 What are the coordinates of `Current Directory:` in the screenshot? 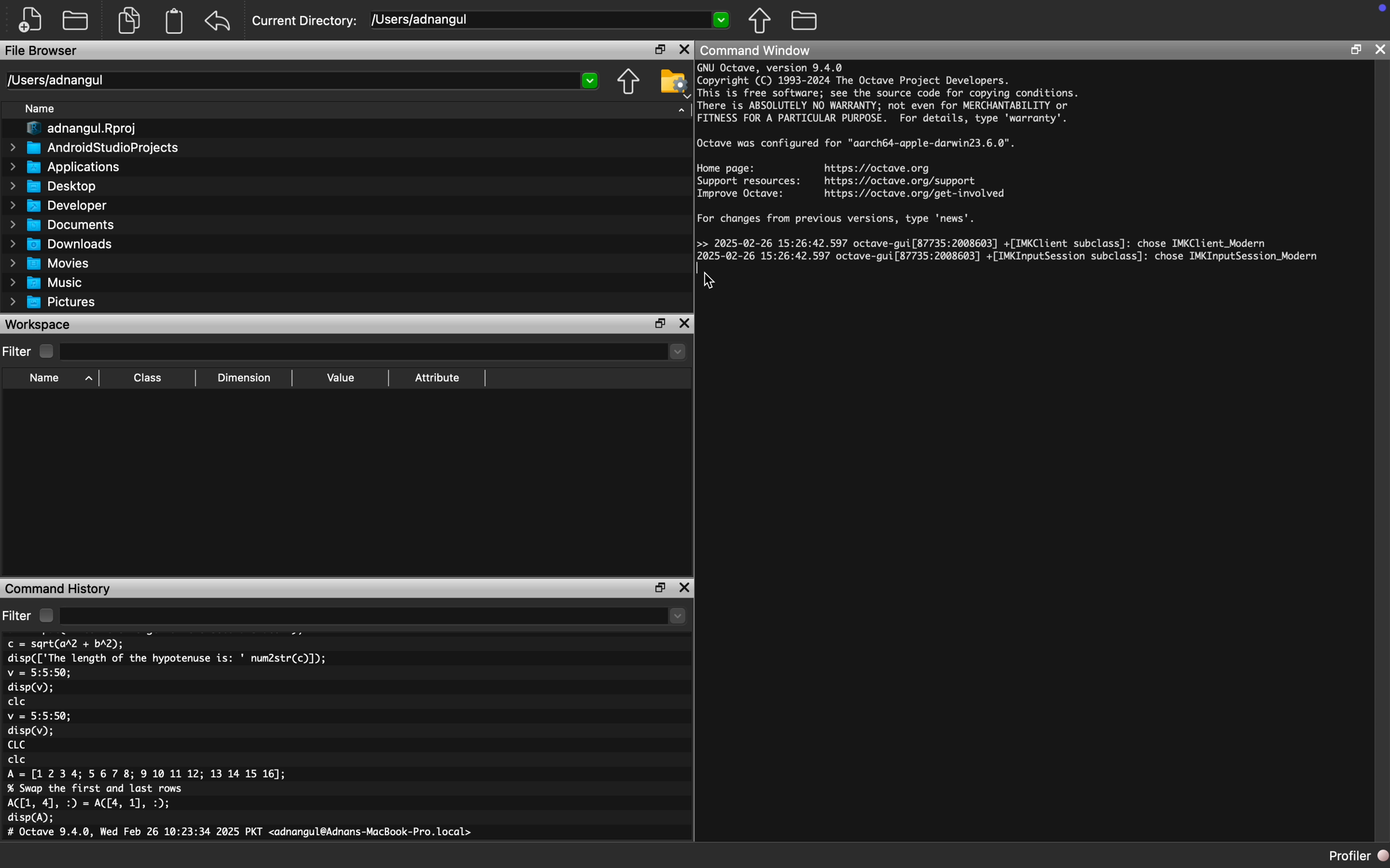 It's located at (307, 21).